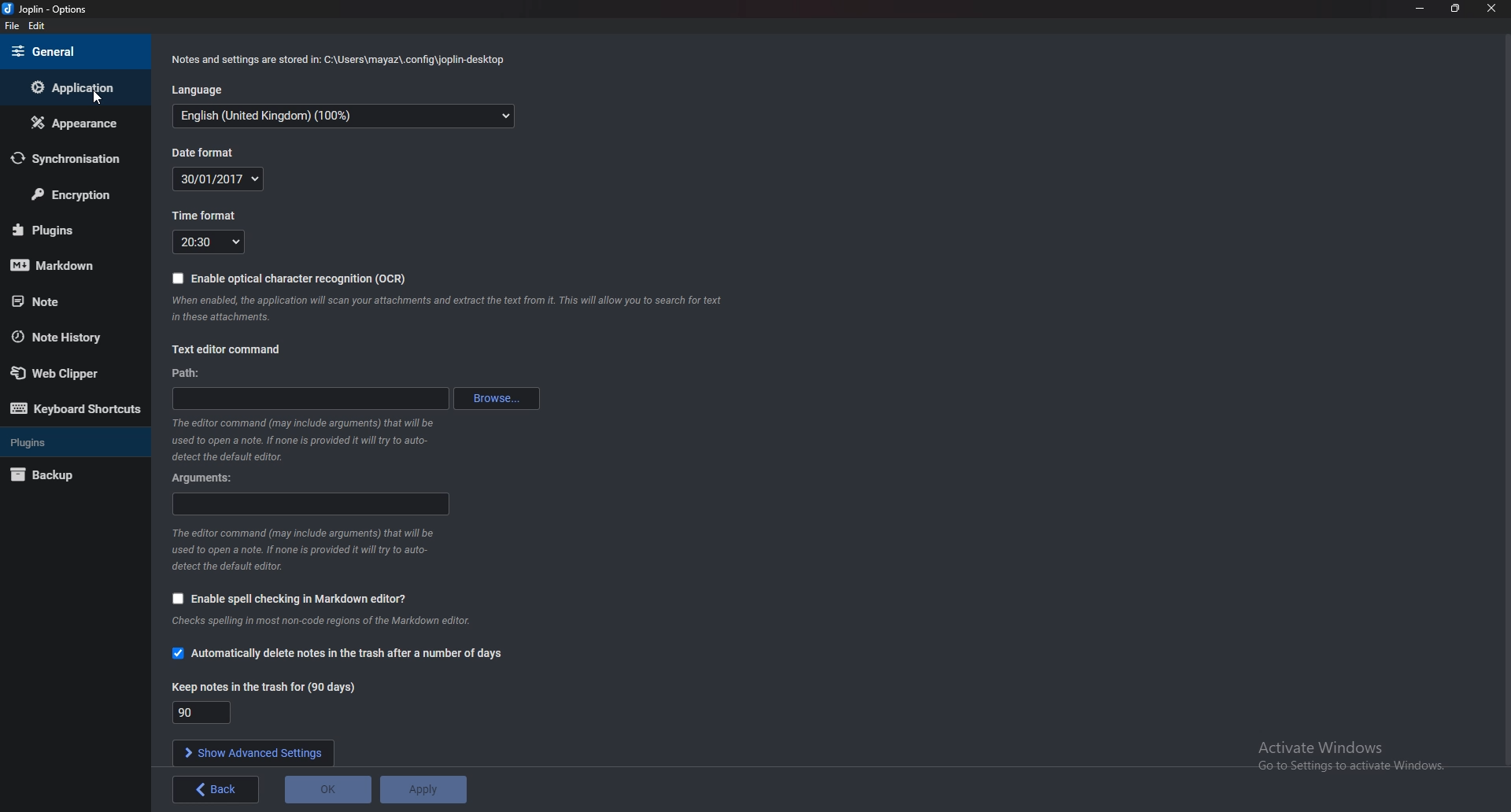 Image resolution: width=1511 pixels, height=812 pixels. Describe the element at coordinates (330, 620) in the screenshot. I see `Info` at that location.